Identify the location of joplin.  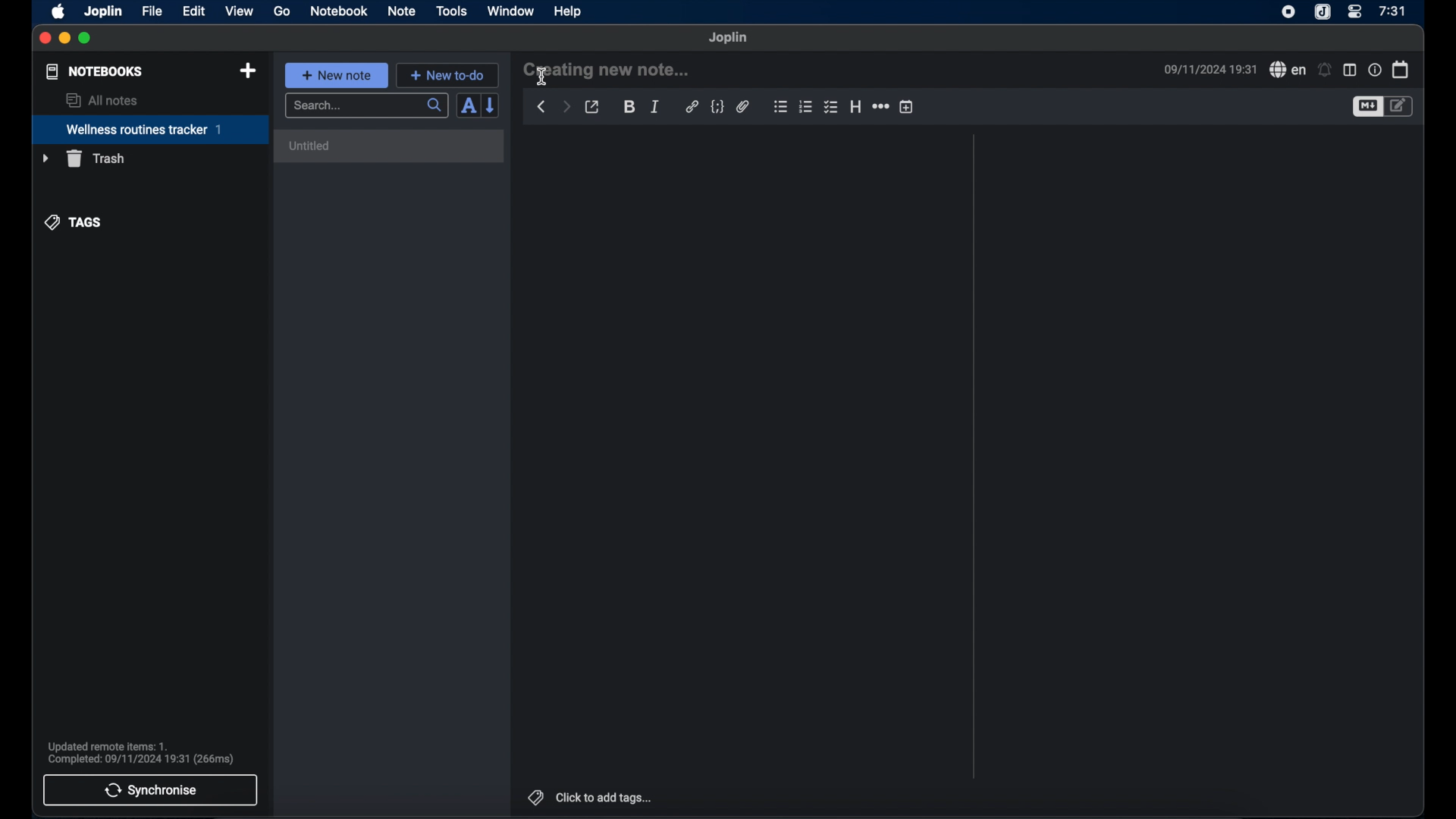
(104, 12).